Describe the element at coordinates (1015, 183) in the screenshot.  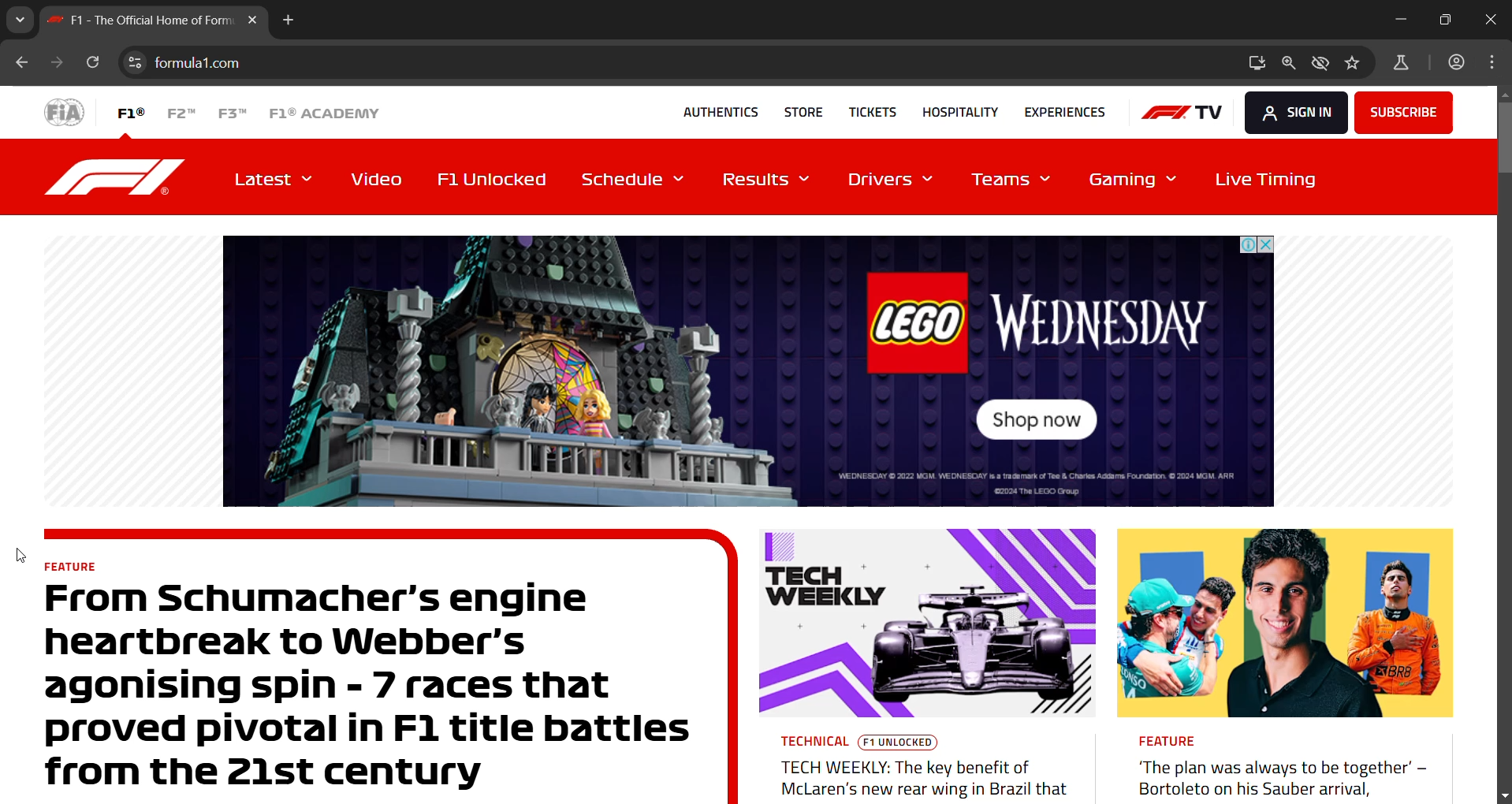
I see `Teams` at that location.